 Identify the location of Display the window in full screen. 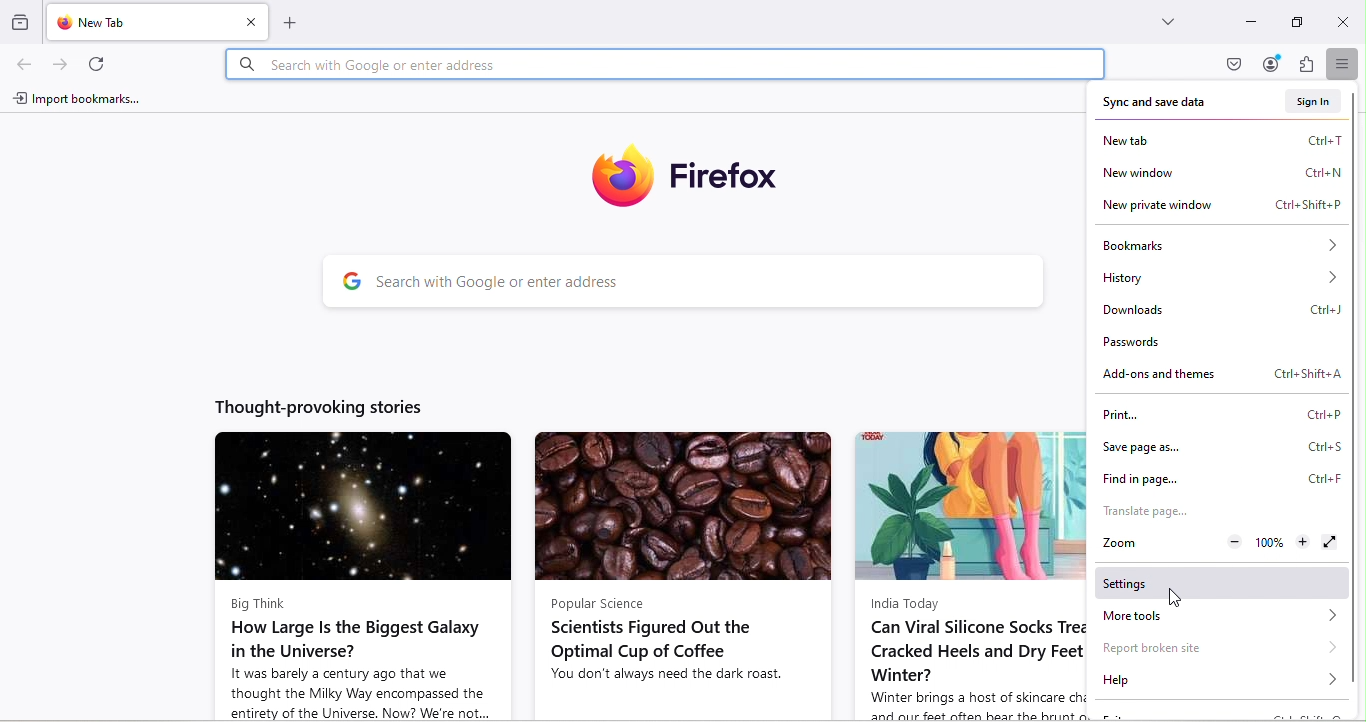
(1331, 542).